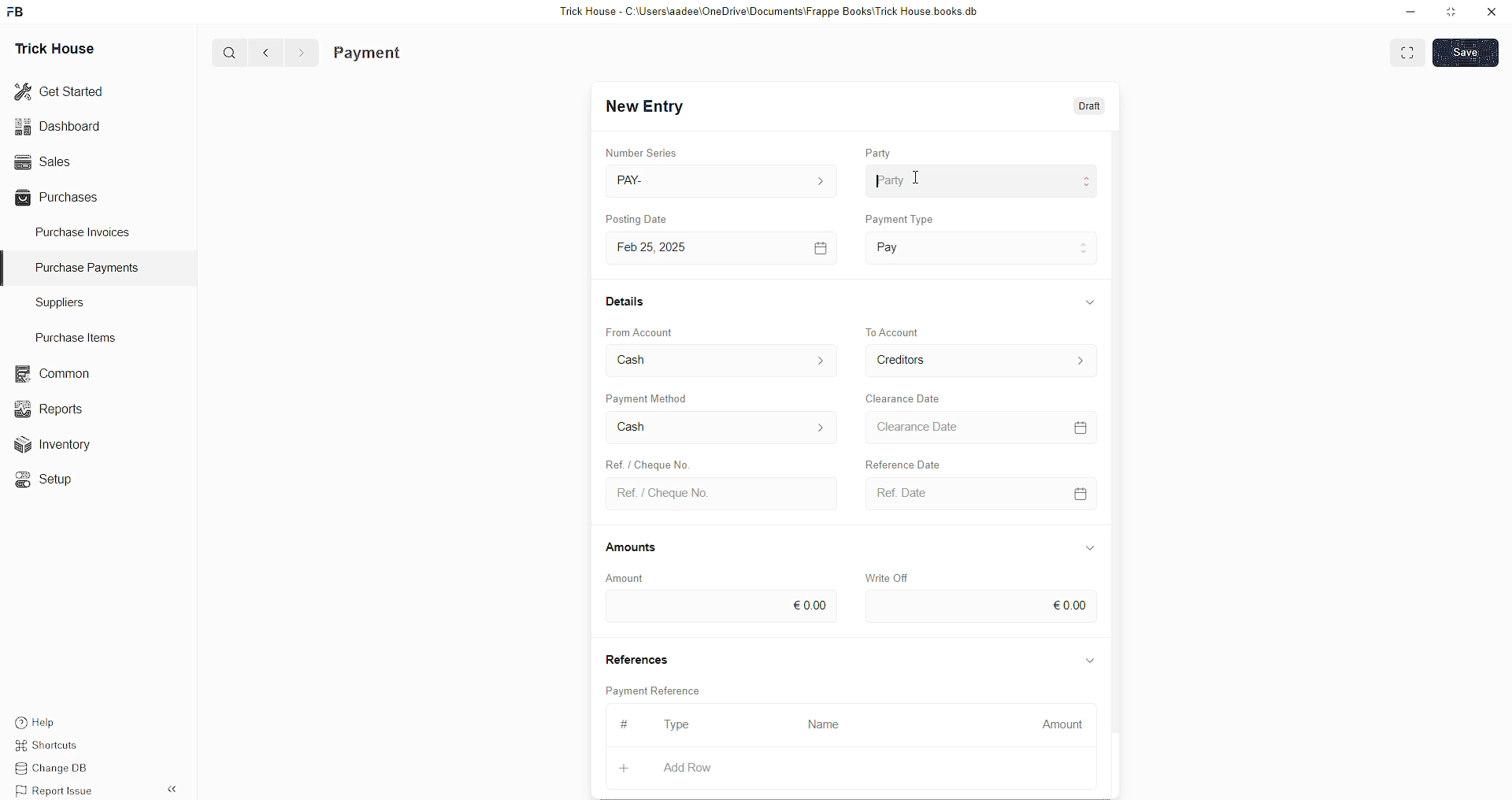  I want to click on Type, so click(683, 726).